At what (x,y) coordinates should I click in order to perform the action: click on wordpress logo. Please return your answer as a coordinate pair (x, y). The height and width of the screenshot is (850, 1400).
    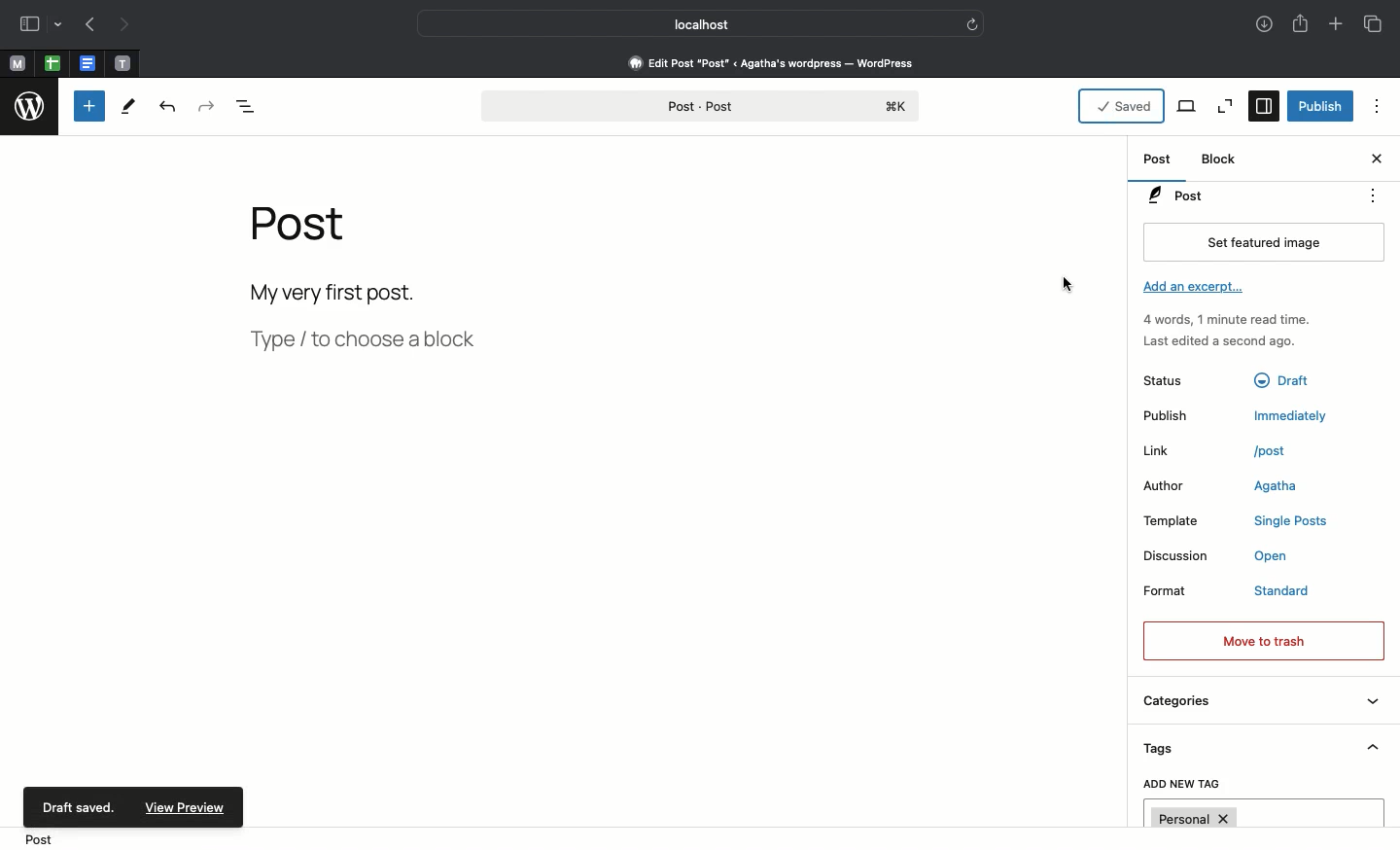
    Looking at the image, I should click on (31, 107).